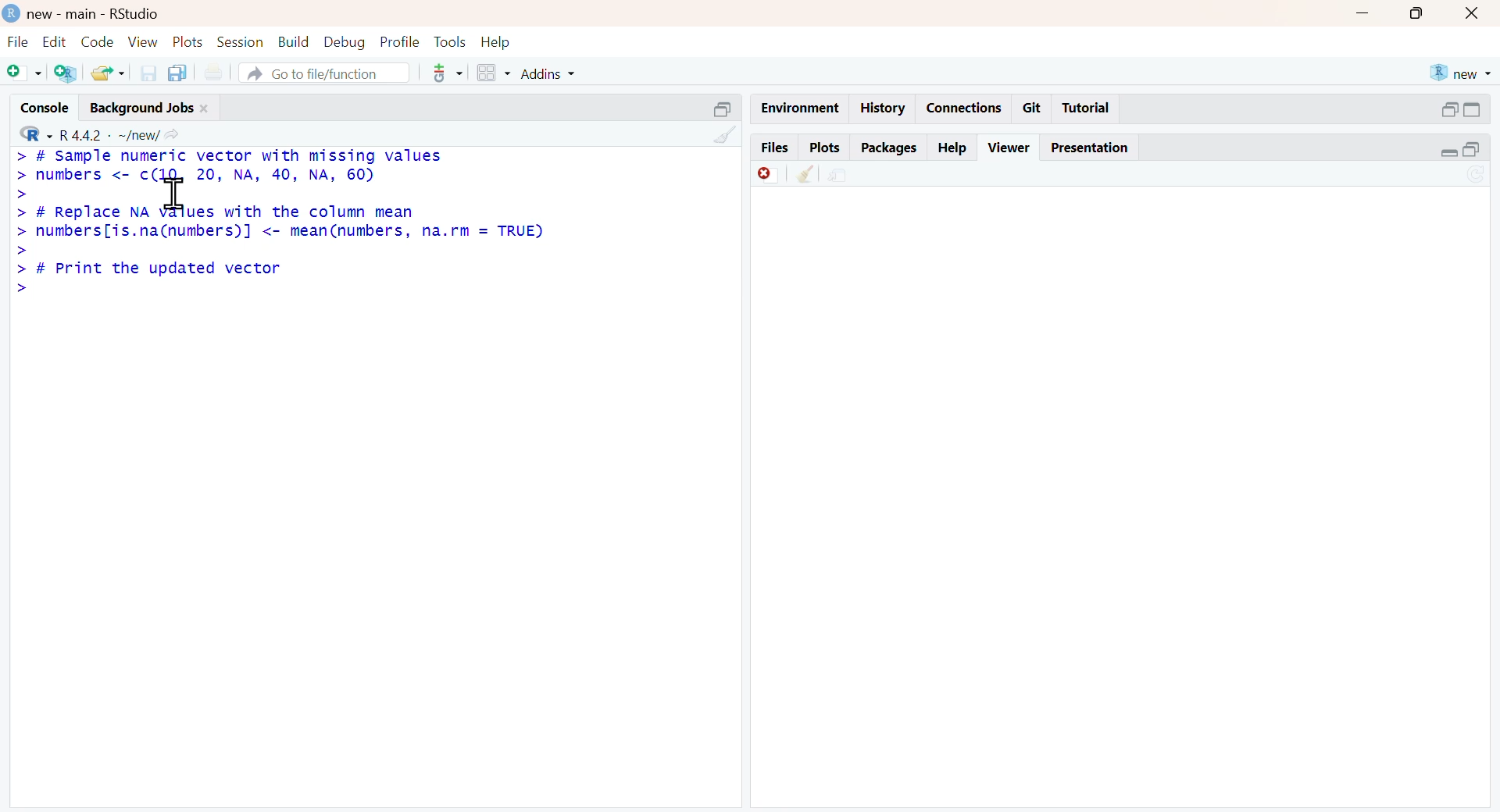 This screenshot has width=1500, height=812. Describe the element at coordinates (1009, 148) in the screenshot. I see `viewer` at that location.